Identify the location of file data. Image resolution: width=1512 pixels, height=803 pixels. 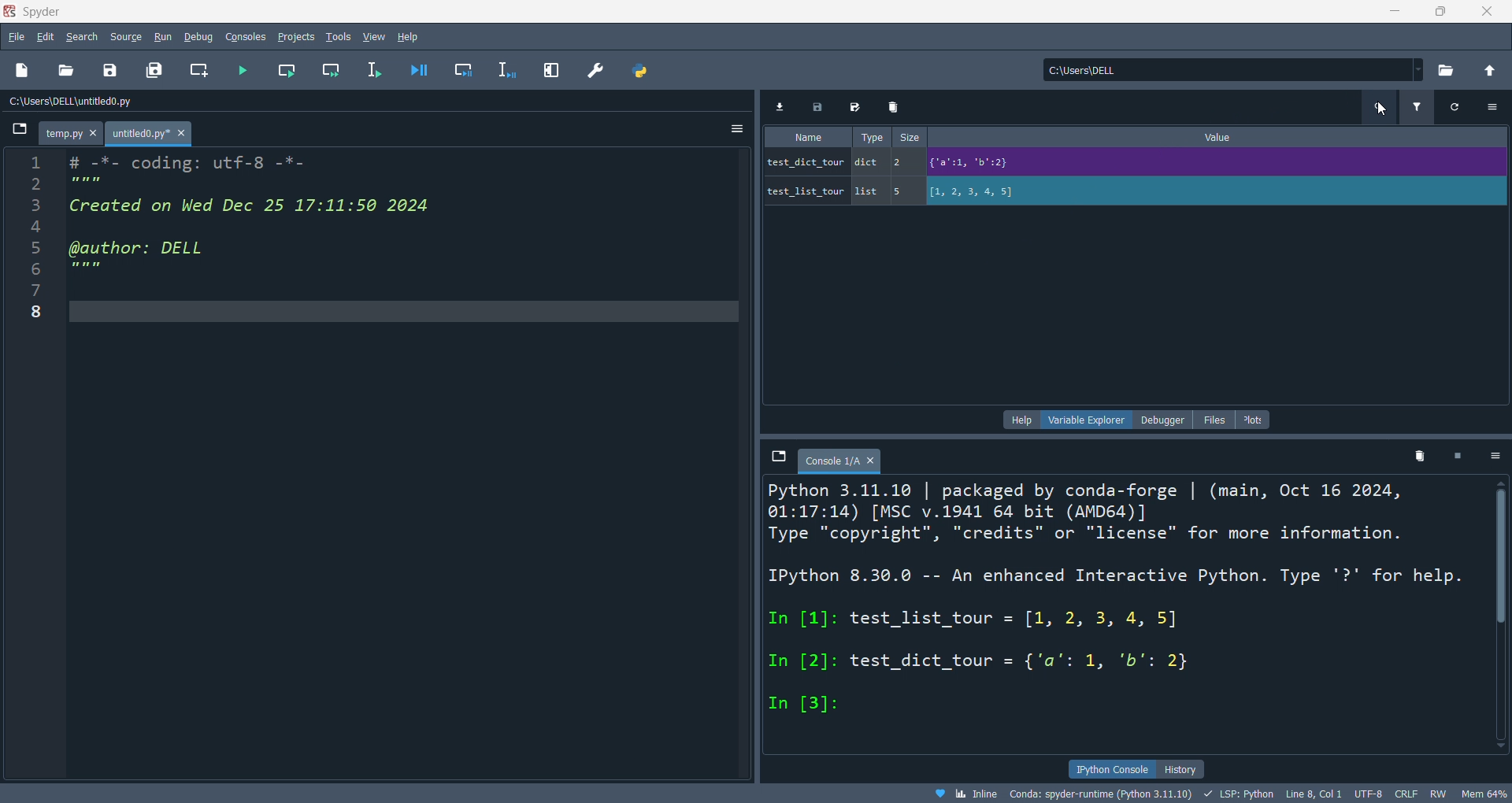
(760, 792).